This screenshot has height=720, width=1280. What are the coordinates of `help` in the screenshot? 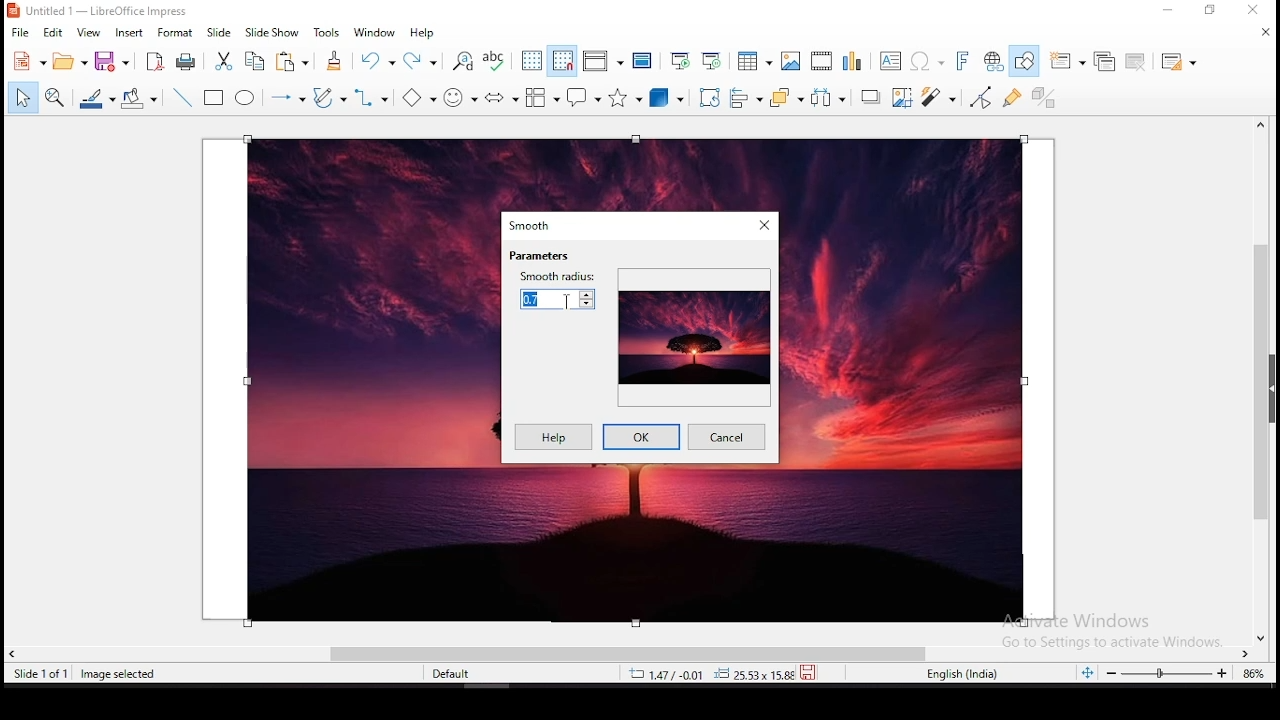 It's located at (549, 438).